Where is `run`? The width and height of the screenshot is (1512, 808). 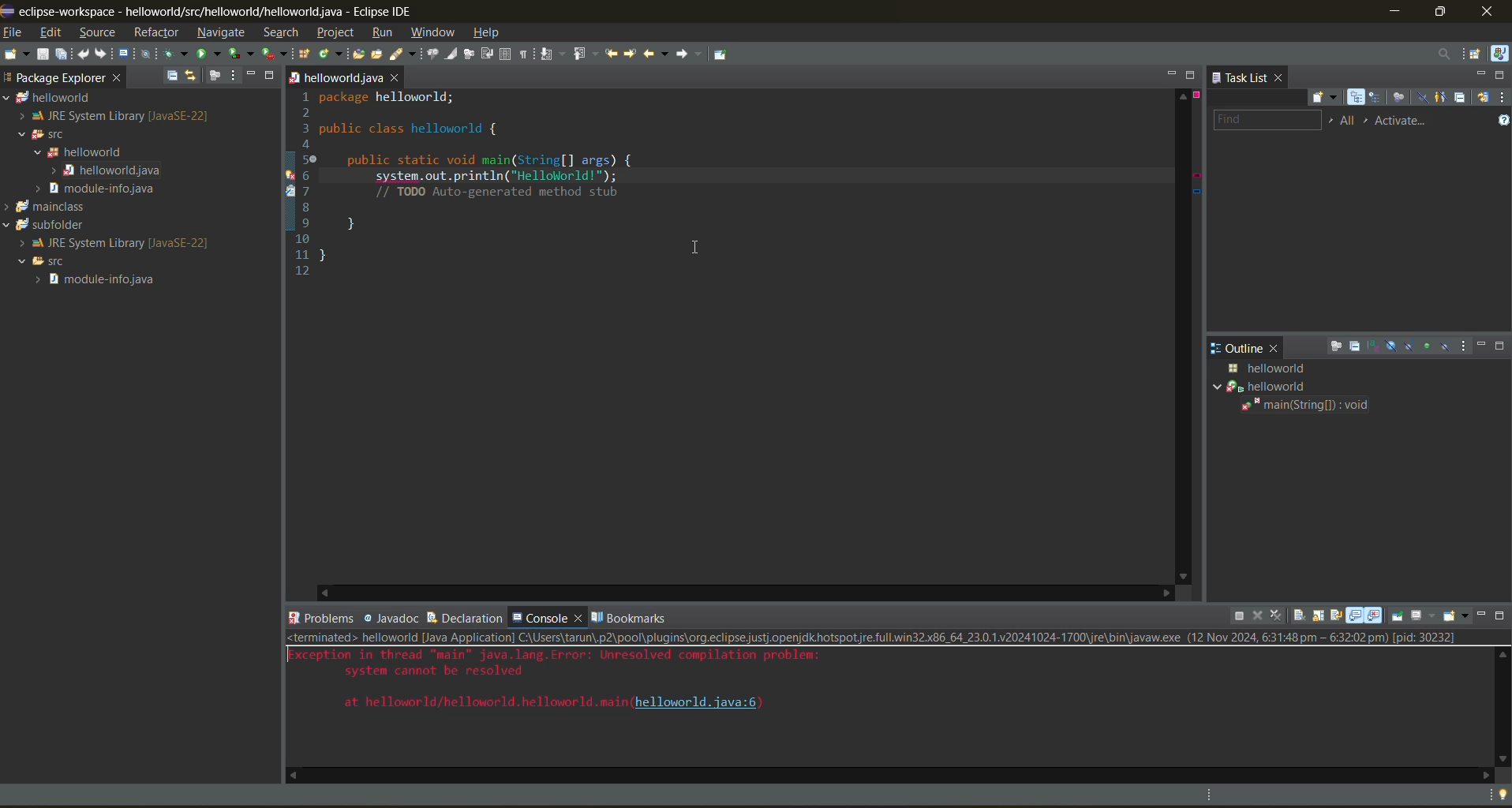
run is located at coordinates (384, 33).